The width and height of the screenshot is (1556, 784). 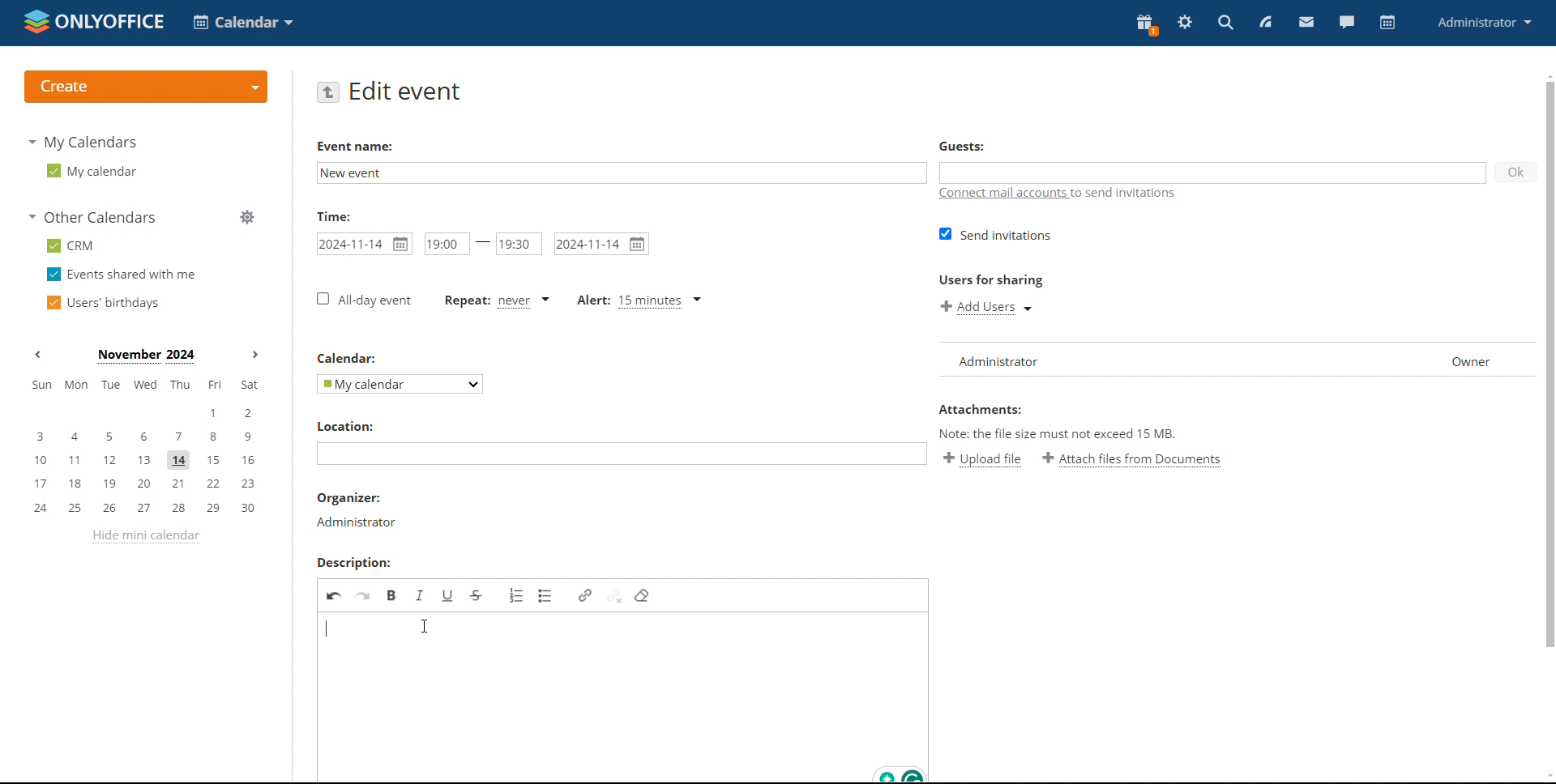 What do you see at coordinates (981, 460) in the screenshot?
I see `upload file` at bounding box center [981, 460].